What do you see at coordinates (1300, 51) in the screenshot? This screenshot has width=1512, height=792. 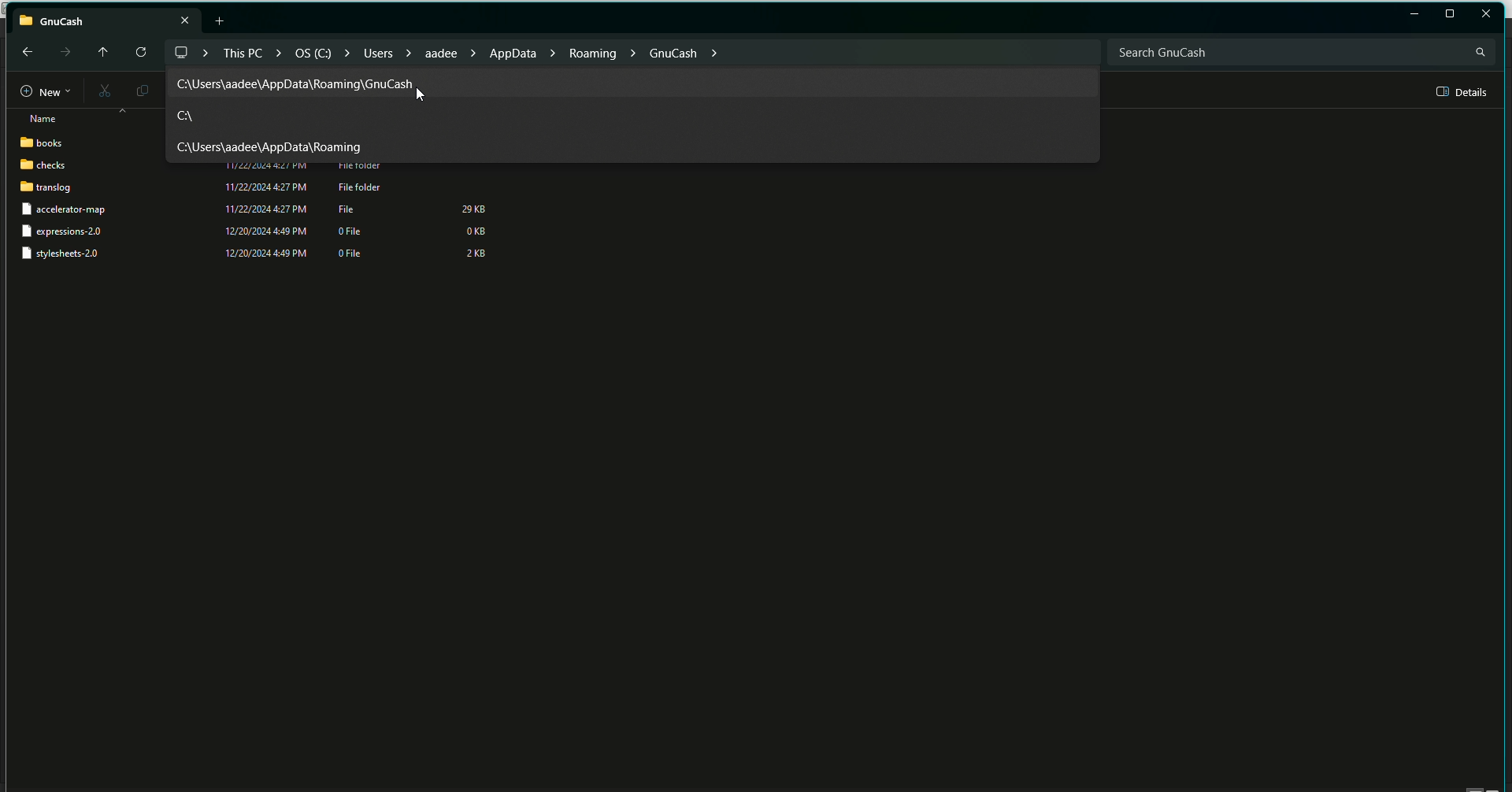 I see `Search bar` at bounding box center [1300, 51].